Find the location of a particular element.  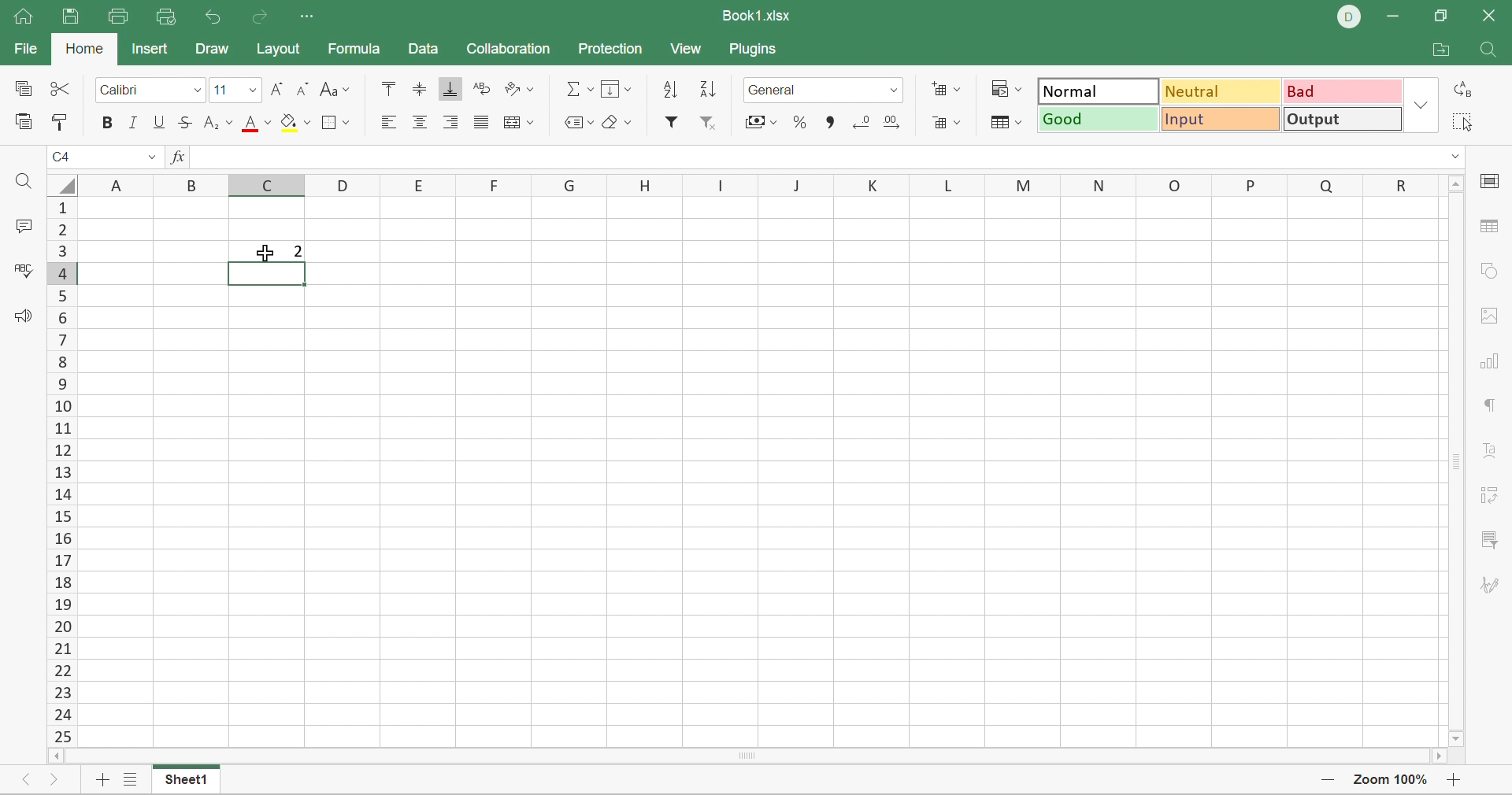

Previous is located at coordinates (21, 779).